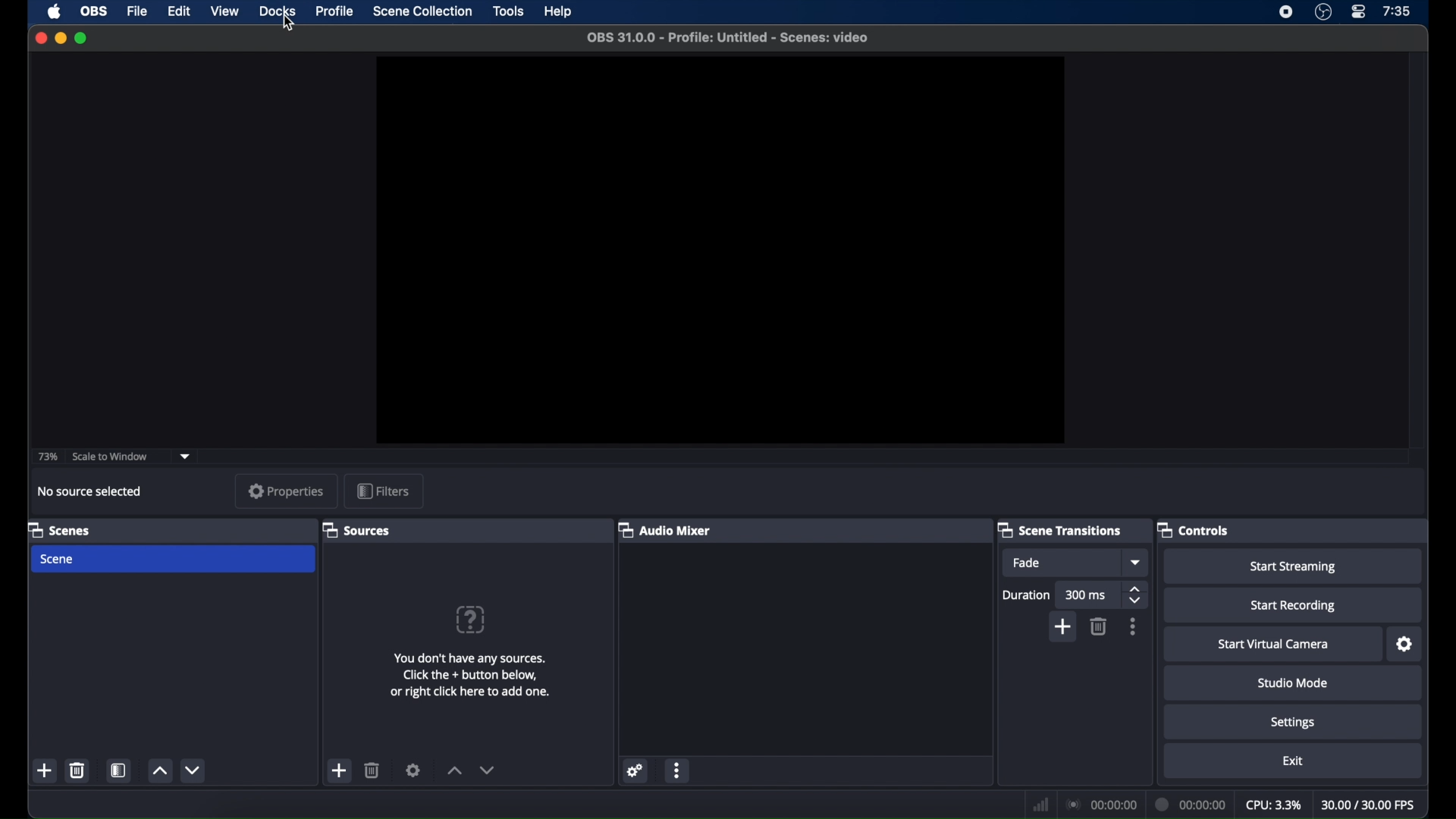 The width and height of the screenshot is (1456, 819). What do you see at coordinates (1087, 594) in the screenshot?
I see `300 ms` at bounding box center [1087, 594].